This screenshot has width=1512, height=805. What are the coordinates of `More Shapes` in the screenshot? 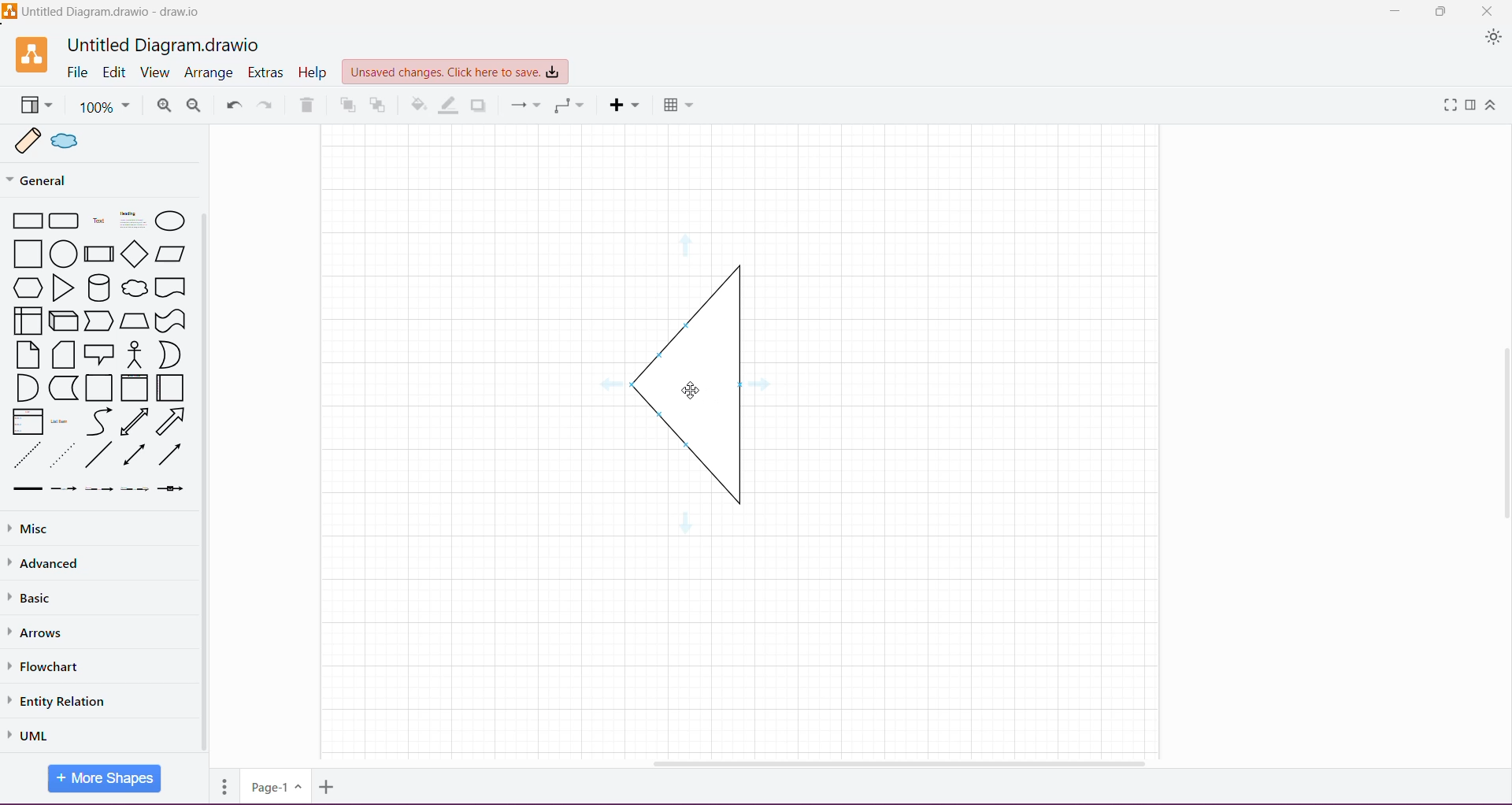 It's located at (106, 778).